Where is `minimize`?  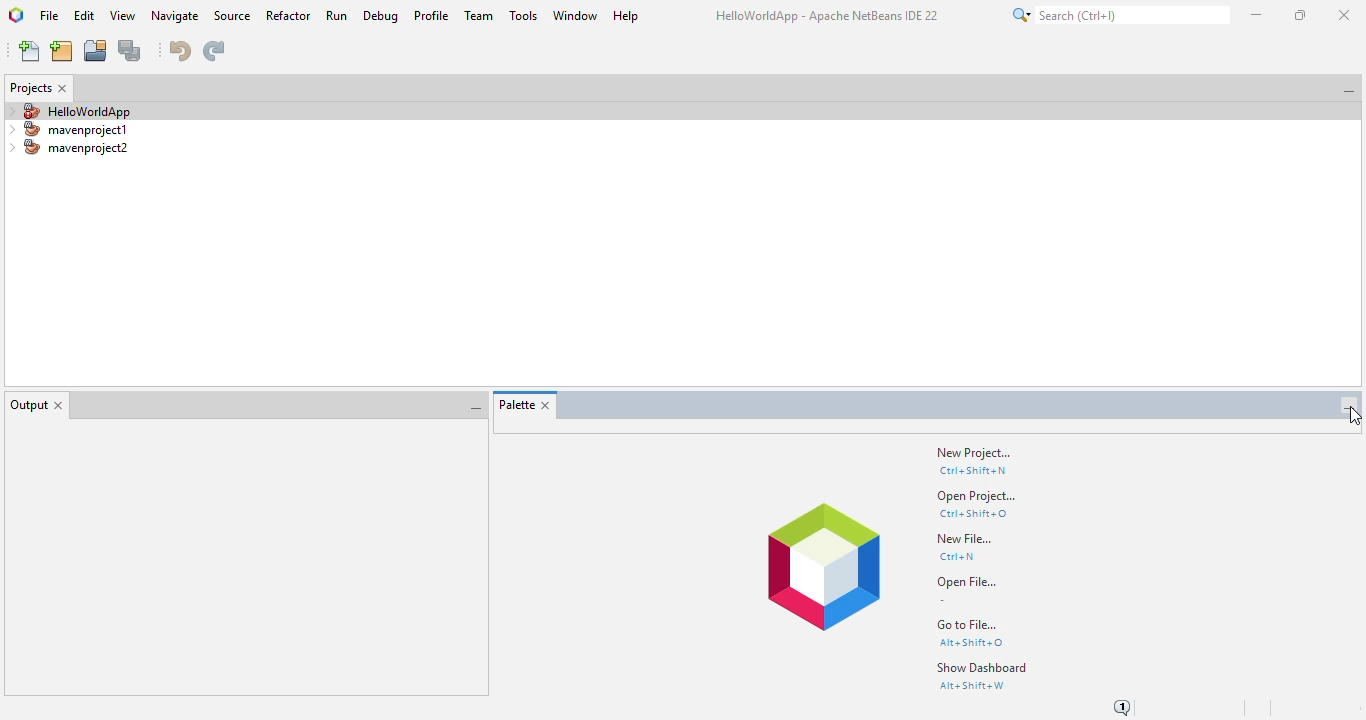
minimize is located at coordinates (1258, 15).